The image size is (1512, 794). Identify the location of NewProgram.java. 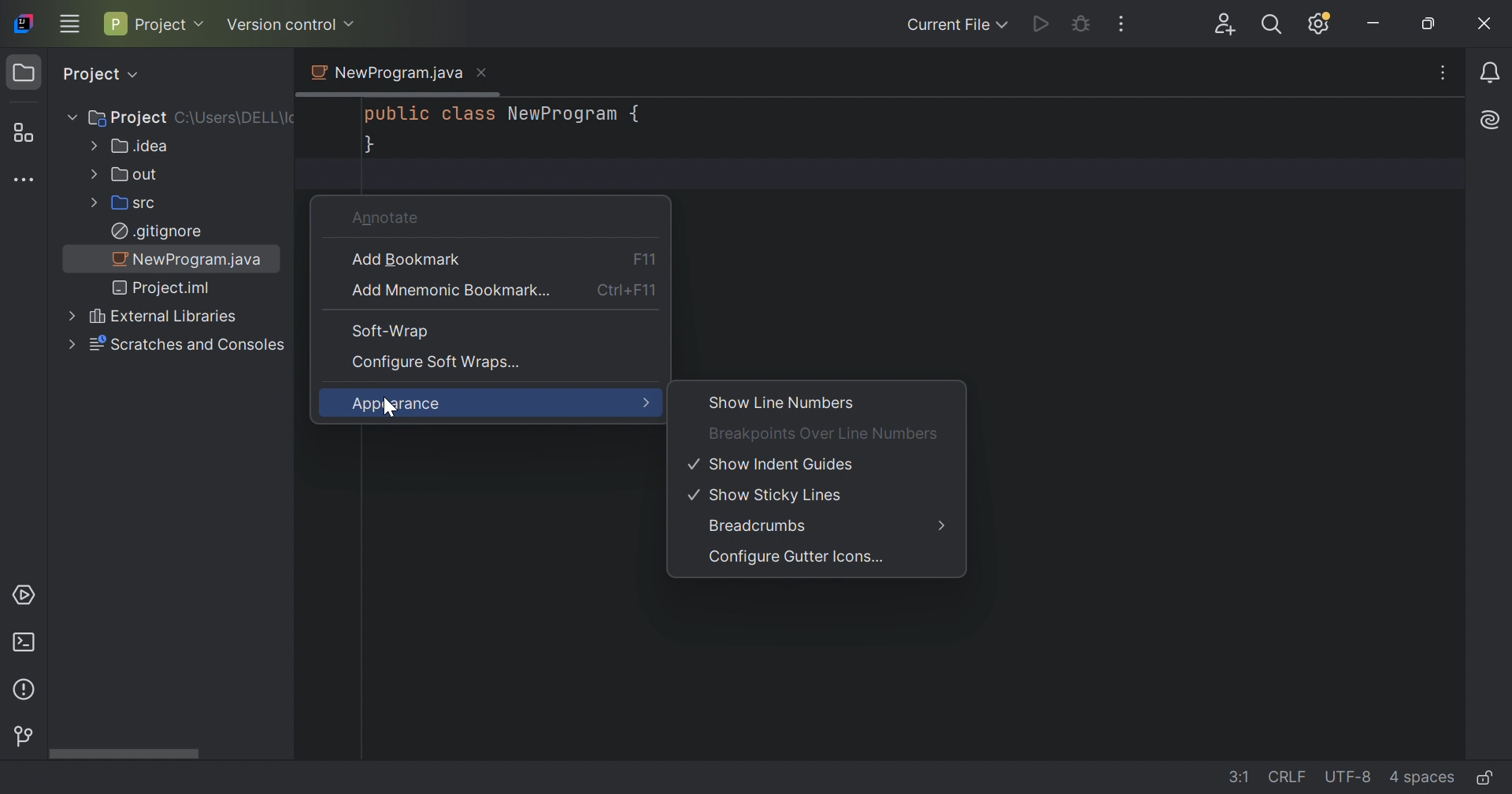
(384, 72).